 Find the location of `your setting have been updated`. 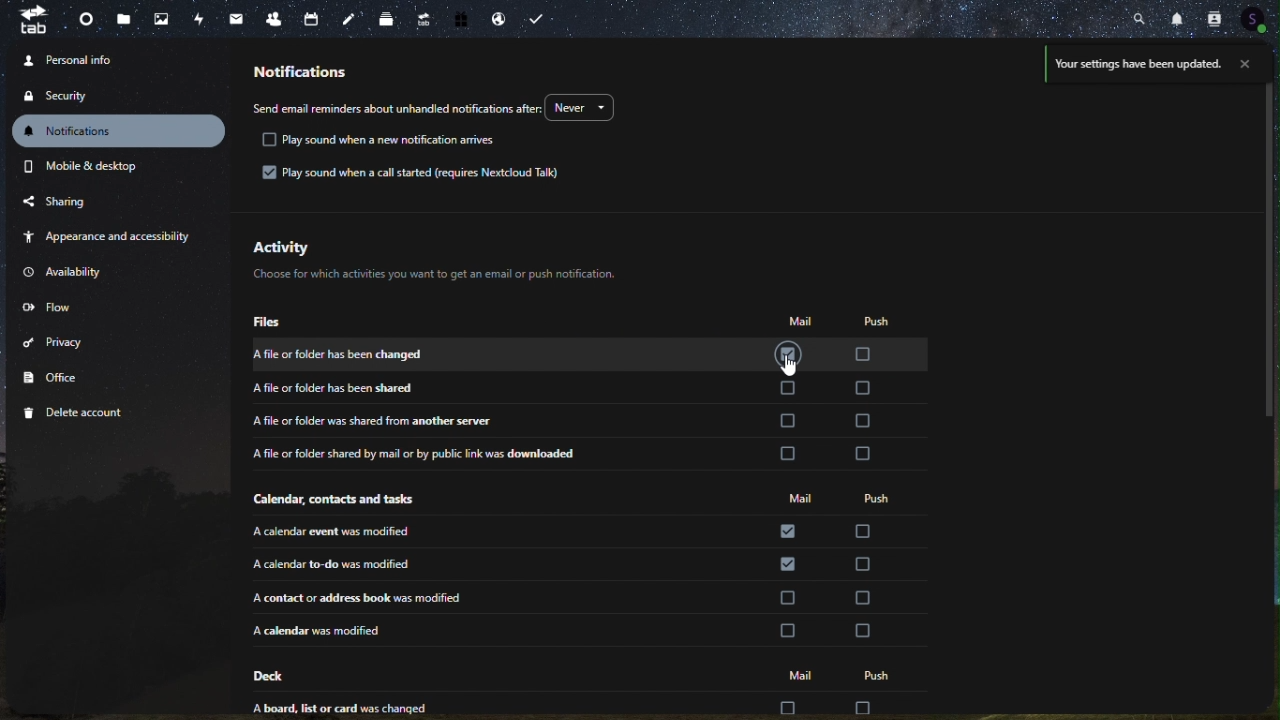

your setting have been updated is located at coordinates (1132, 68).